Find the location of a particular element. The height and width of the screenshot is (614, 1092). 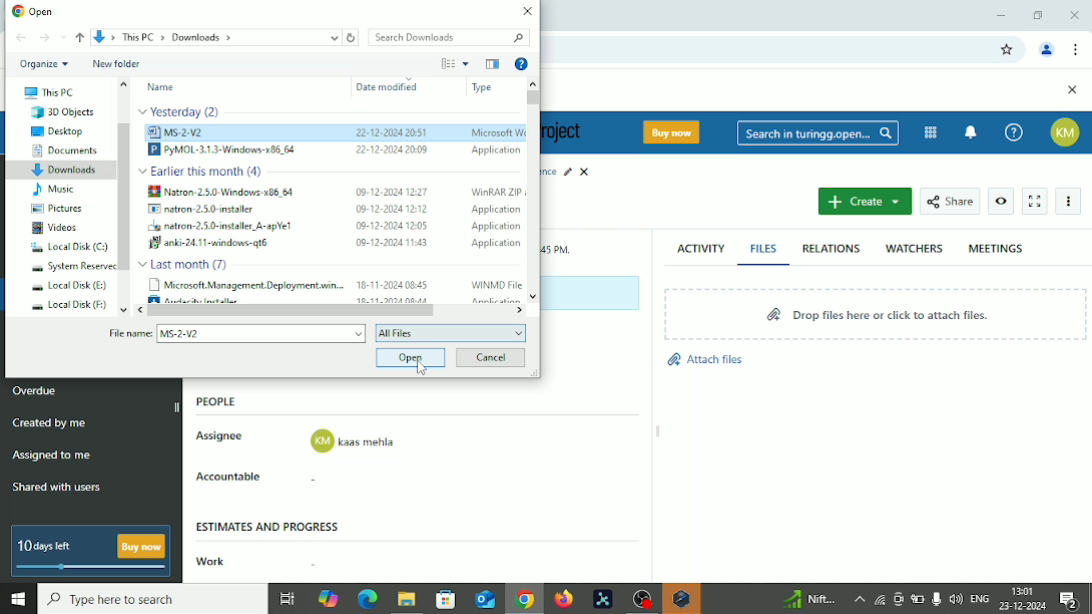

10 days left is located at coordinates (46, 547).